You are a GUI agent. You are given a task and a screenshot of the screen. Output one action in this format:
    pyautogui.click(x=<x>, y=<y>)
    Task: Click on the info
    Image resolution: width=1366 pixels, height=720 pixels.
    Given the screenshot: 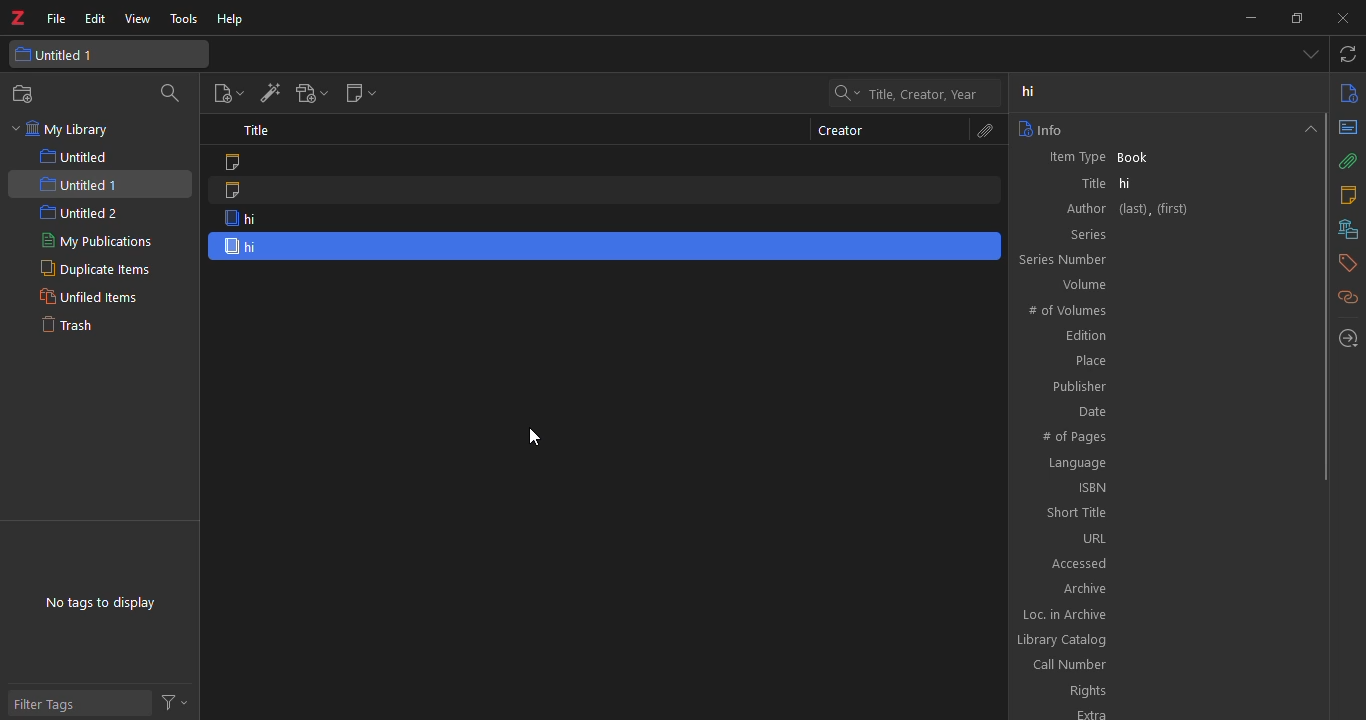 What is the action you would take?
    pyautogui.click(x=1045, y=127)
    